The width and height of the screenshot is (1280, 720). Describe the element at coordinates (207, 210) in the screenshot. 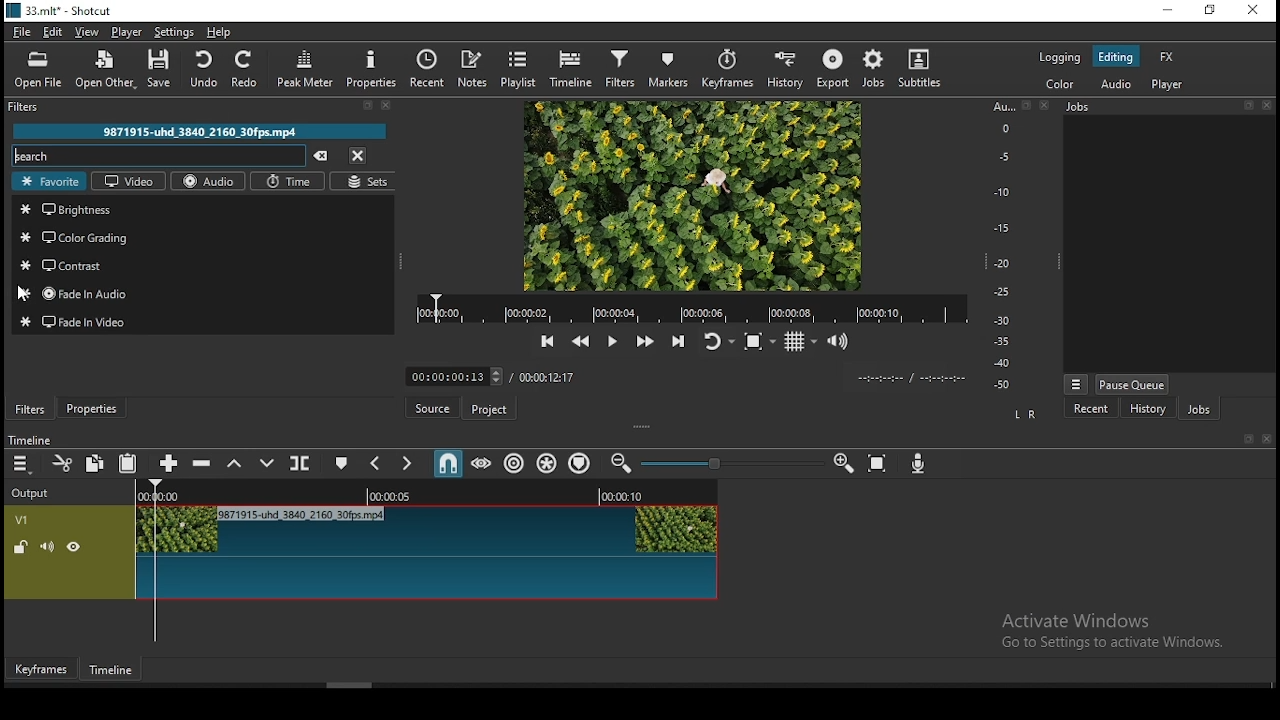

I see `brightness` at that location.